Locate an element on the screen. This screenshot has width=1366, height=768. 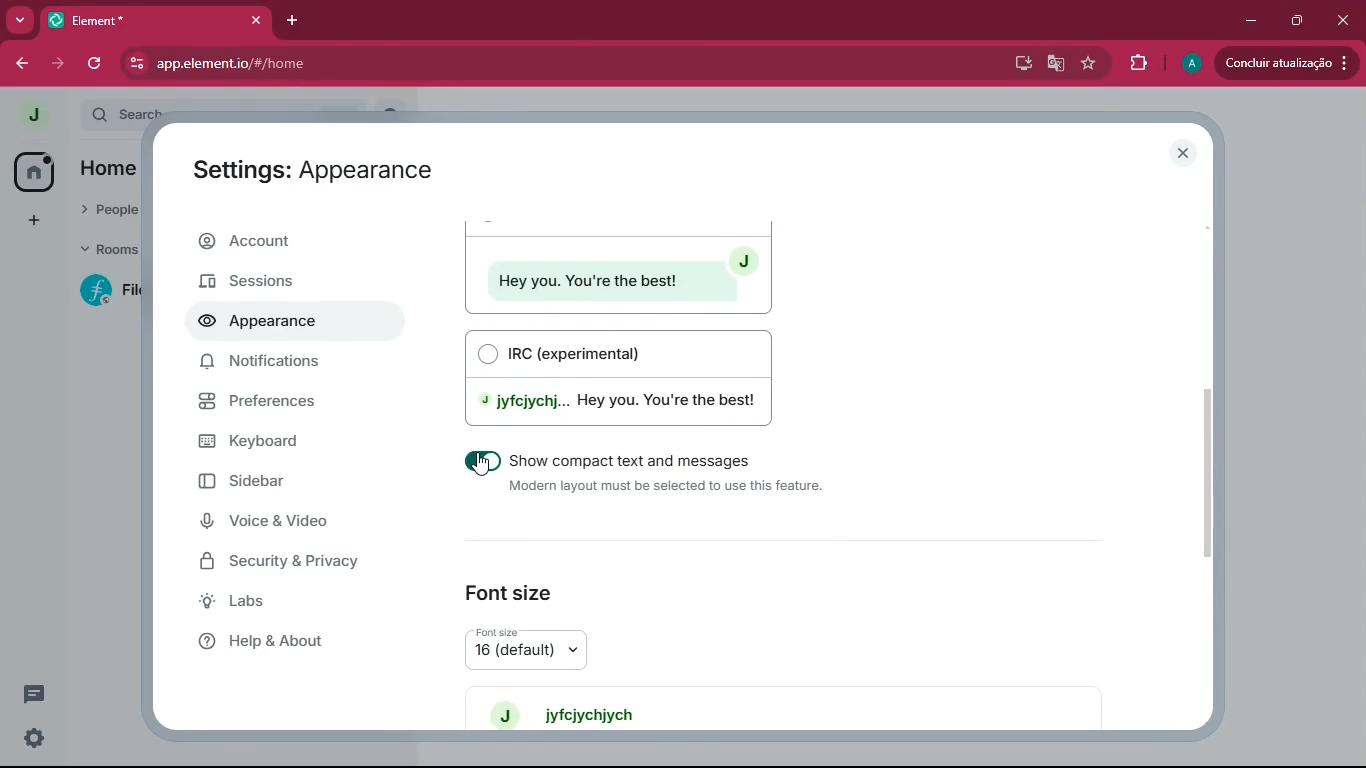
keyboard is located at coordinates (289, 440).